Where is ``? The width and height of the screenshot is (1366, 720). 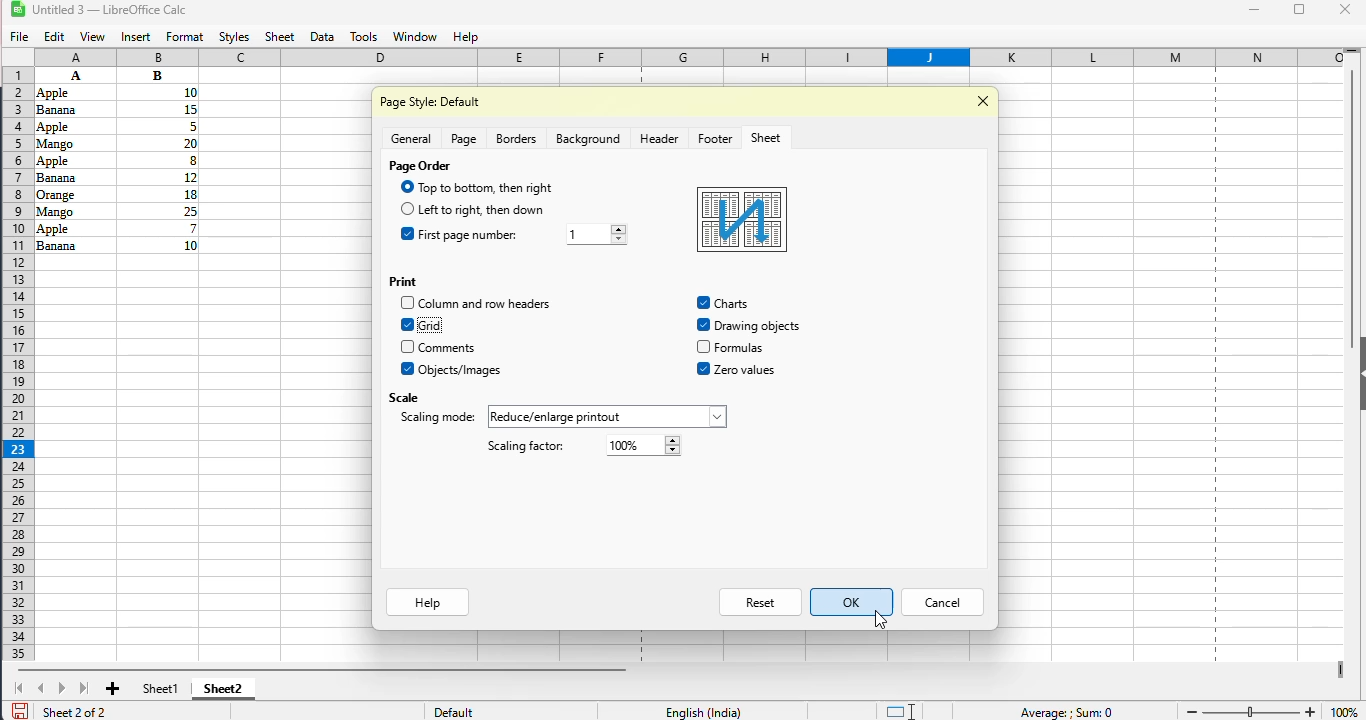  is located at coordinates (73, 178).